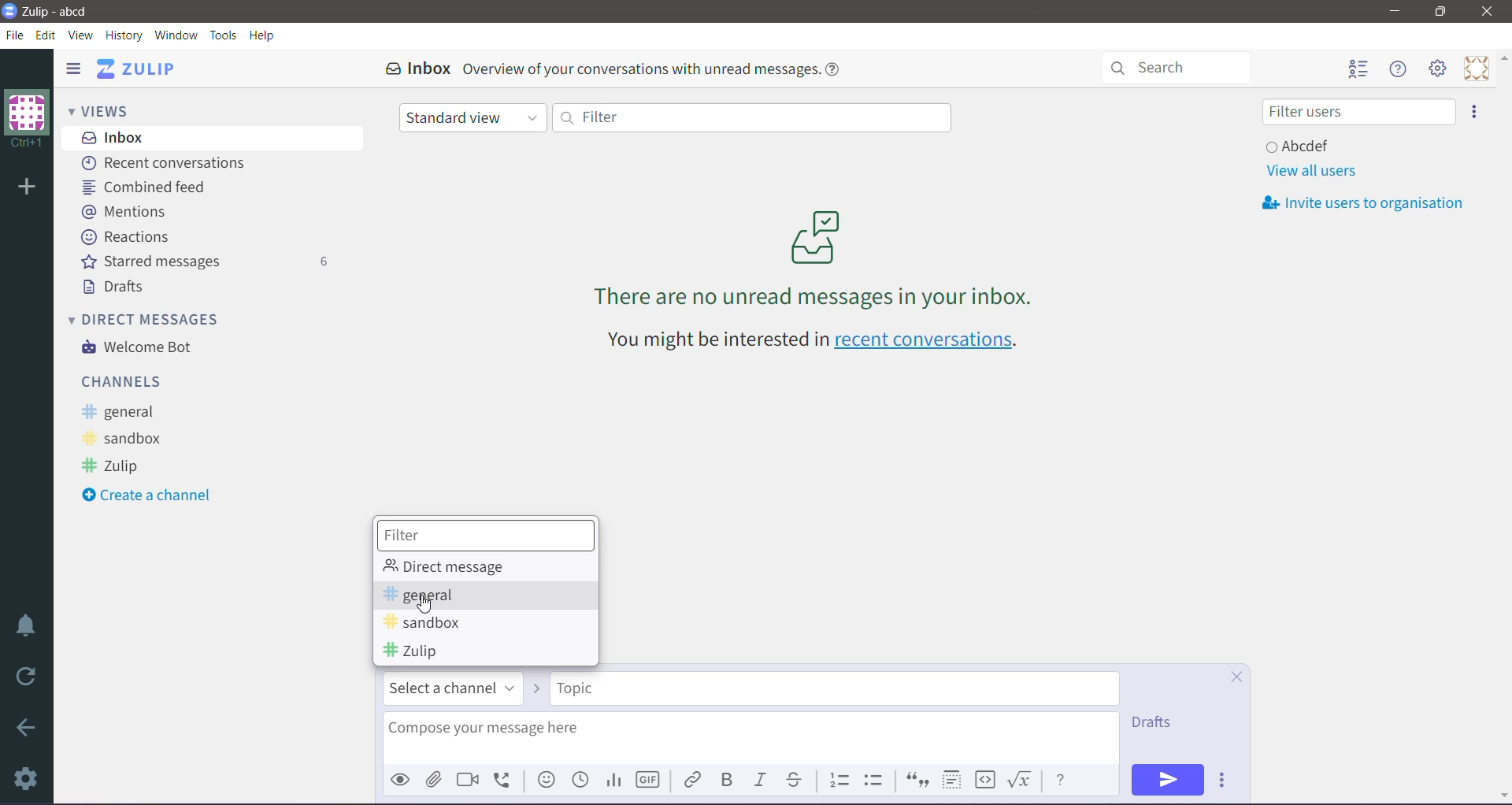 This screenshot has height=805, width=1512. I want to click on Bulleted list, so click(877, 780).